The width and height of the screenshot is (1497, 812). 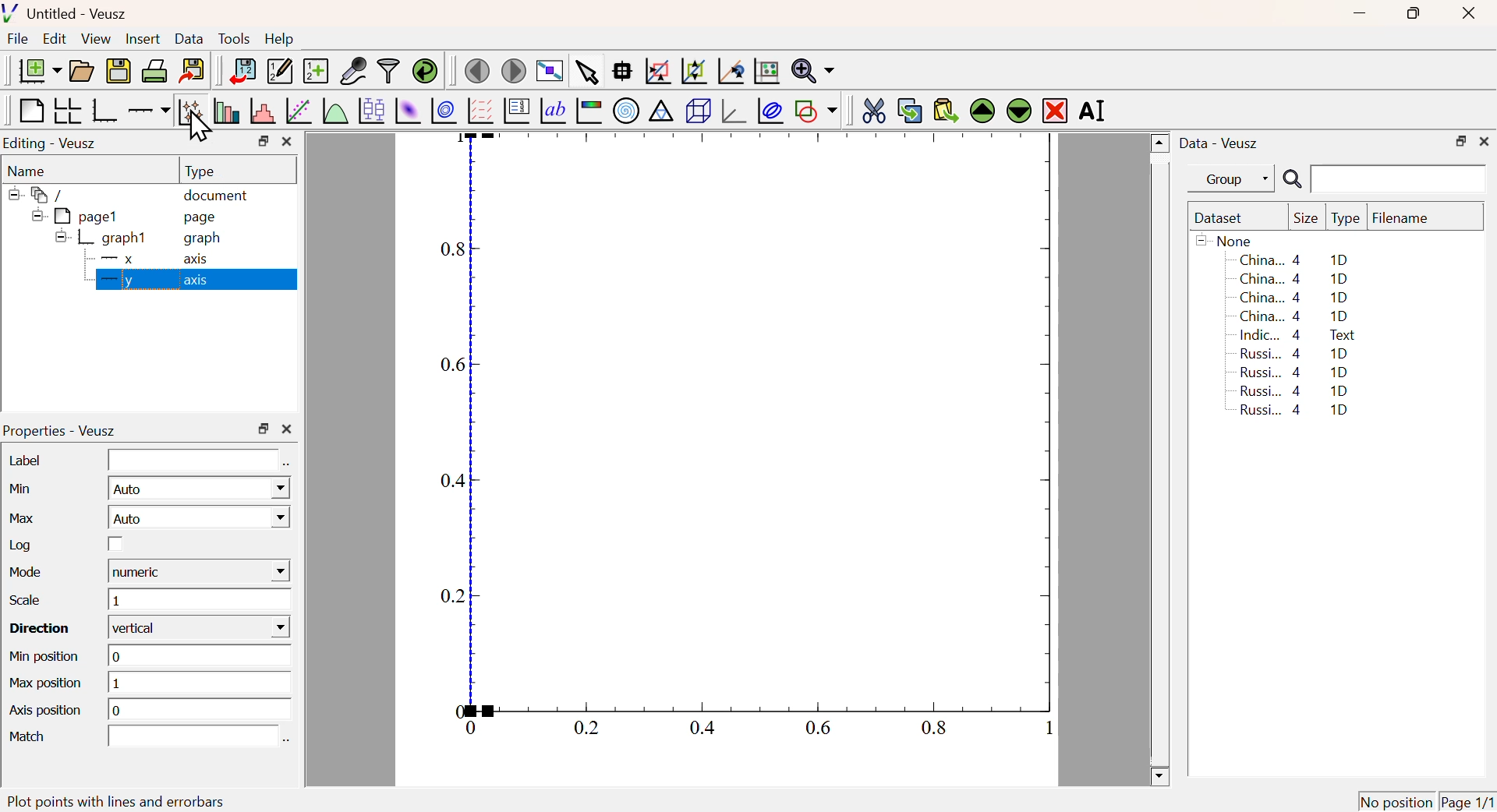 I want to click on Restore Down, so click(x=1411, y=13).